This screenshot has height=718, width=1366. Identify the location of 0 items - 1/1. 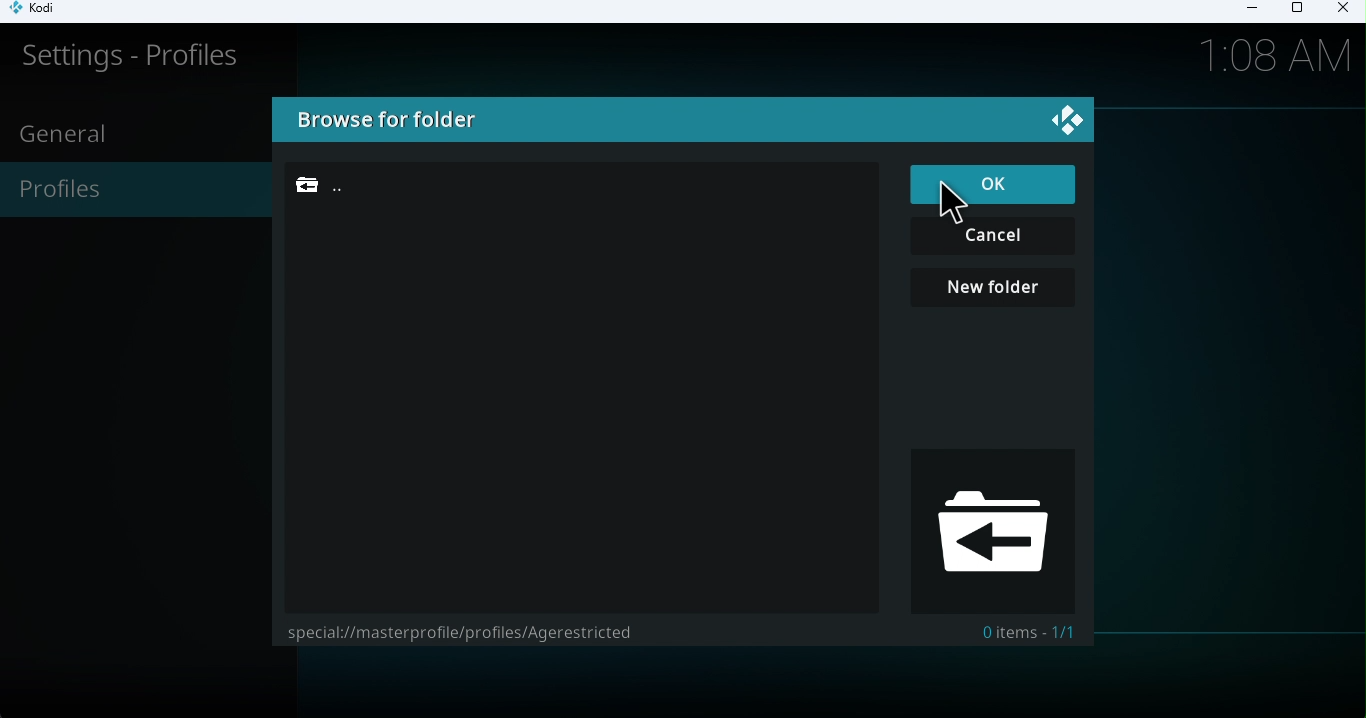
(1029, 632).